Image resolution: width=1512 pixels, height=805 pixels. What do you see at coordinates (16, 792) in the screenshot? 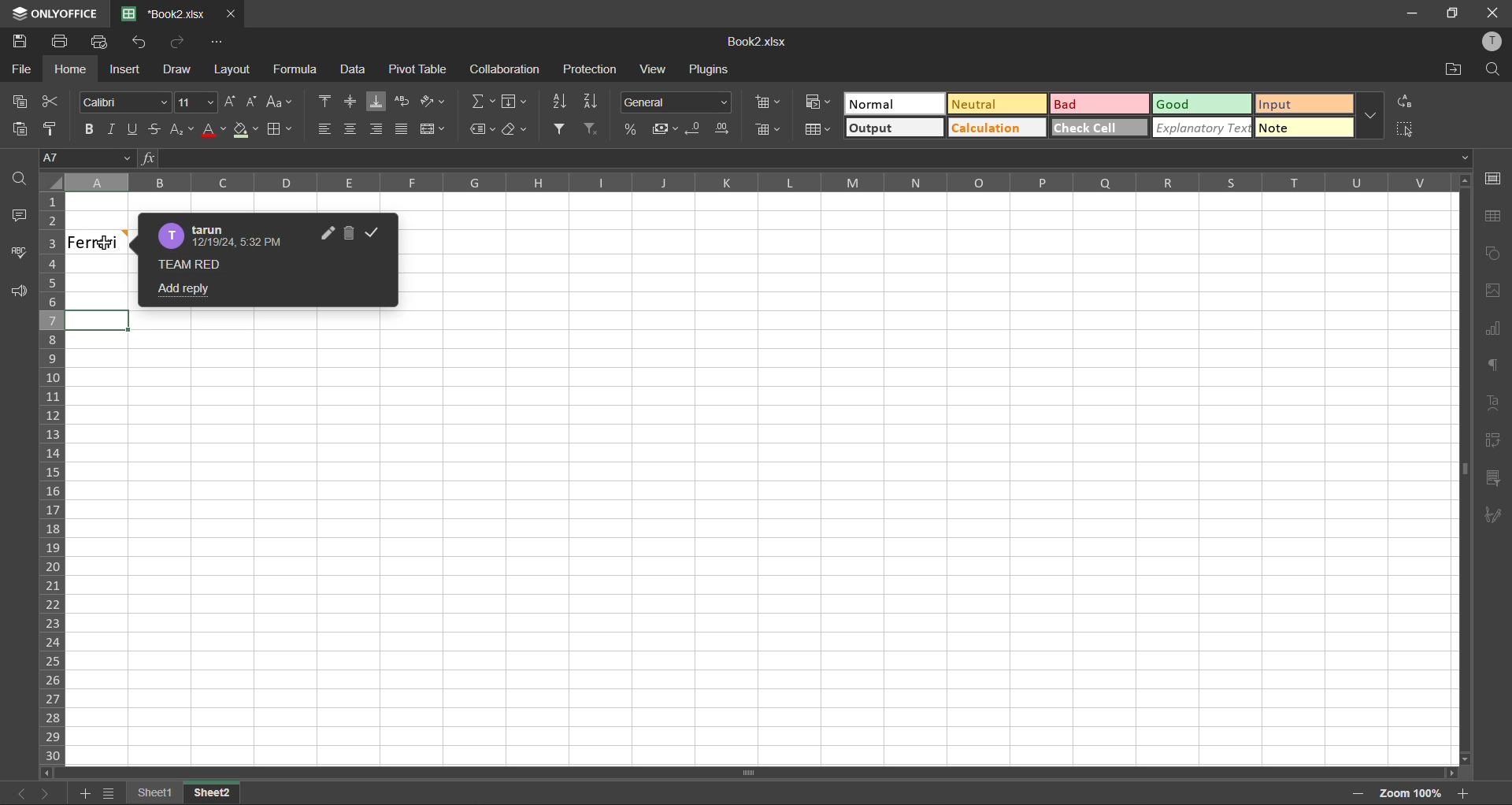
I see `previous` at bounding box center [16, 792].